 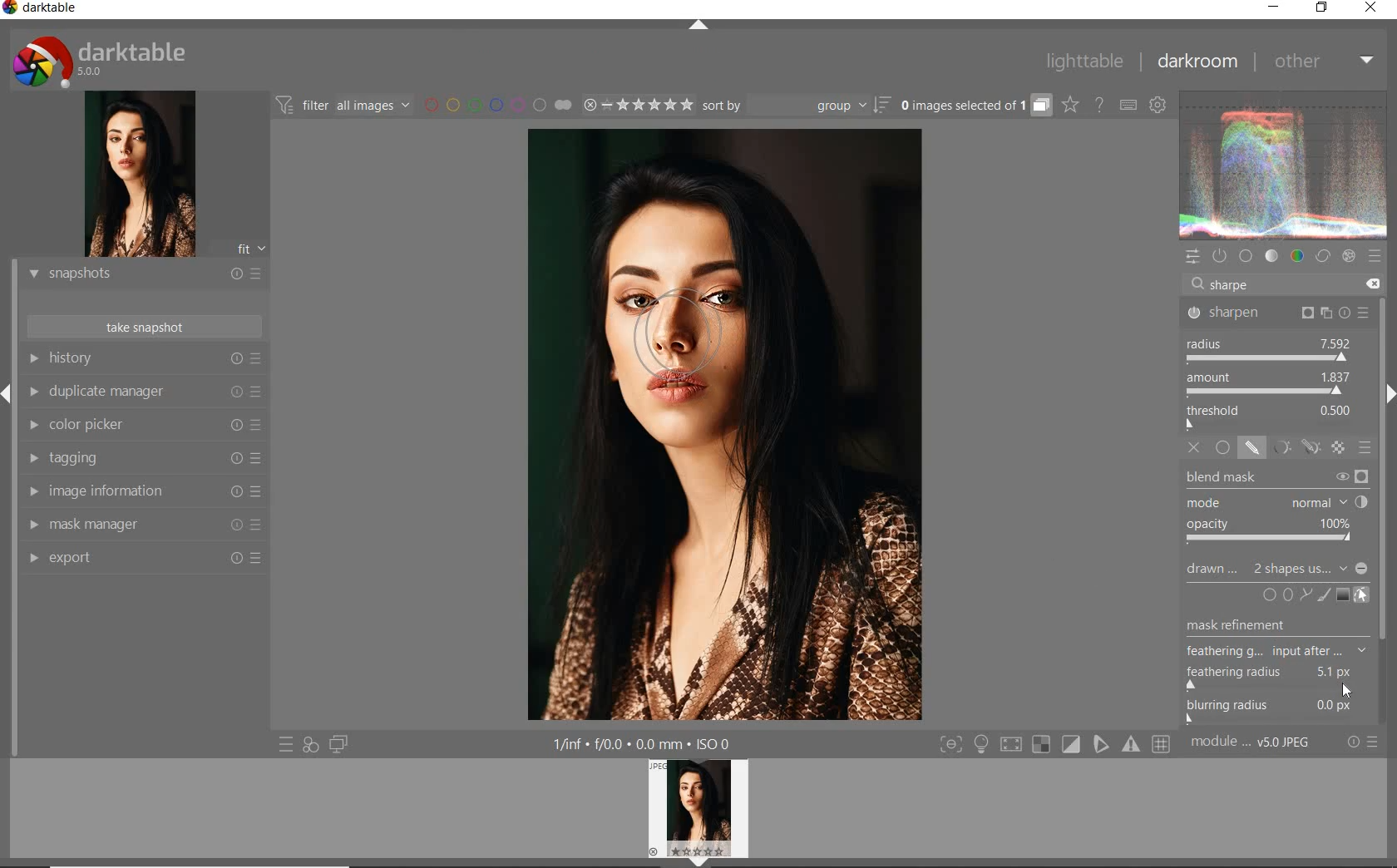 What do you see at coordinates (1069, 106) in the screenshot?
I see `change overlays shown on thumbnails` at bounding box center [1069, 106].